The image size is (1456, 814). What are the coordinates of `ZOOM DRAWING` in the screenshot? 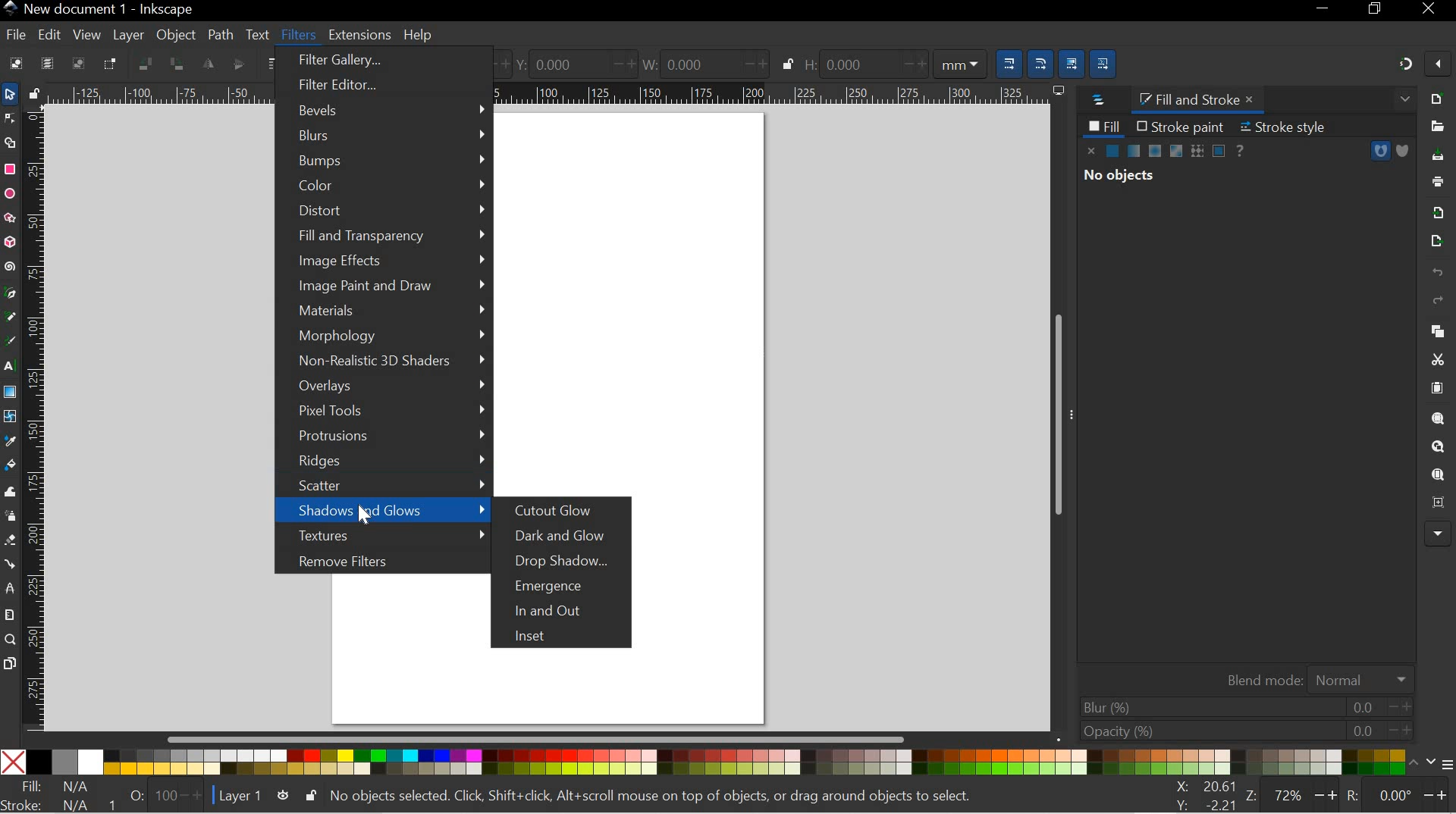 It's located at (1437, 447).